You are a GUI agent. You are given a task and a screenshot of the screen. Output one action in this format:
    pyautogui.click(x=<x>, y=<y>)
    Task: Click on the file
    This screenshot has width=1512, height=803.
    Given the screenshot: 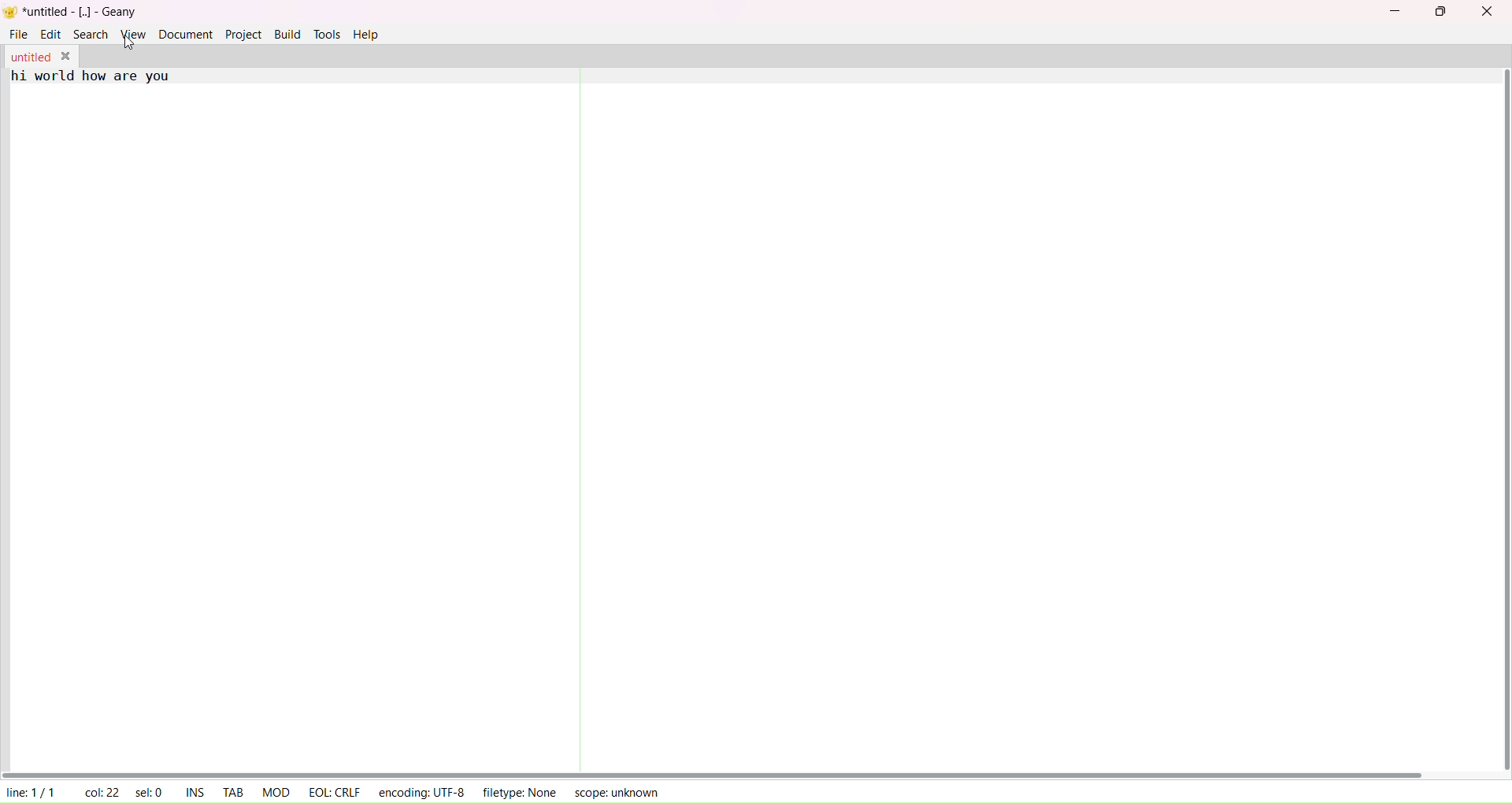 What is the action you would take?
    pyautogui.click(x=15, y=35)
    